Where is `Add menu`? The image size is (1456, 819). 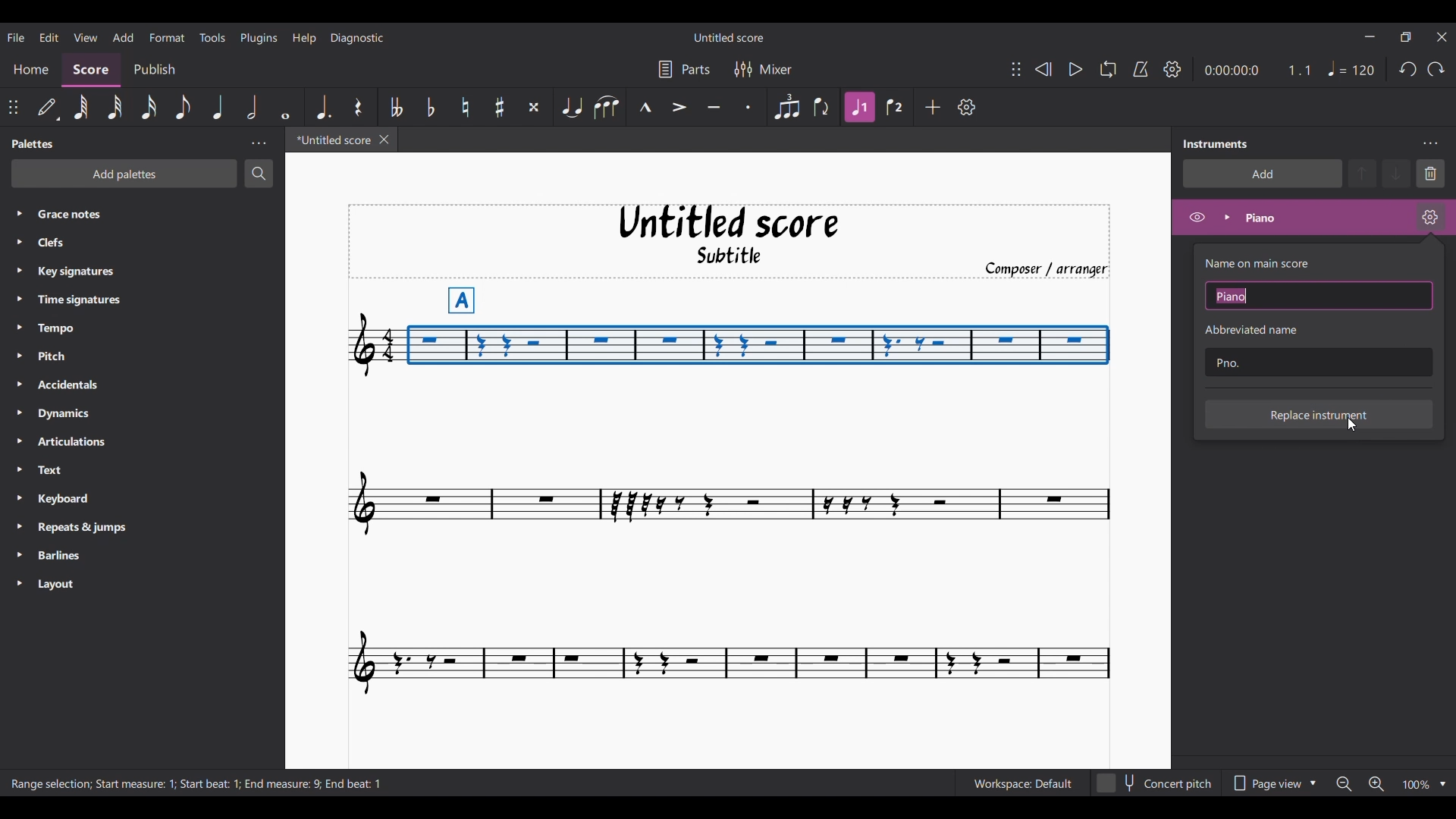 Add menu is located at coordinates (123, 37).